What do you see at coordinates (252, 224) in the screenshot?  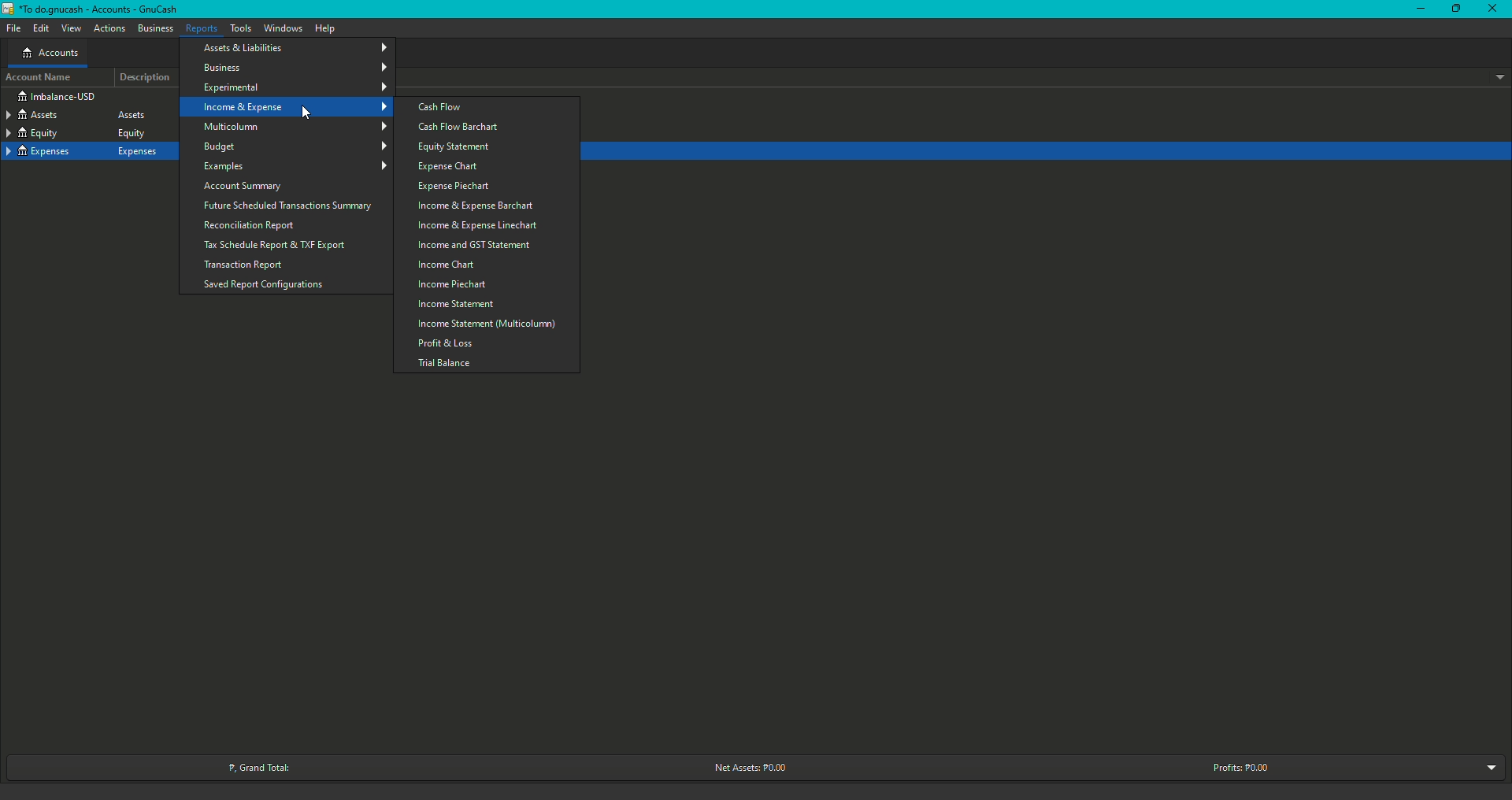 I see `Reconciliation Report` at bounding box center [252, 224].